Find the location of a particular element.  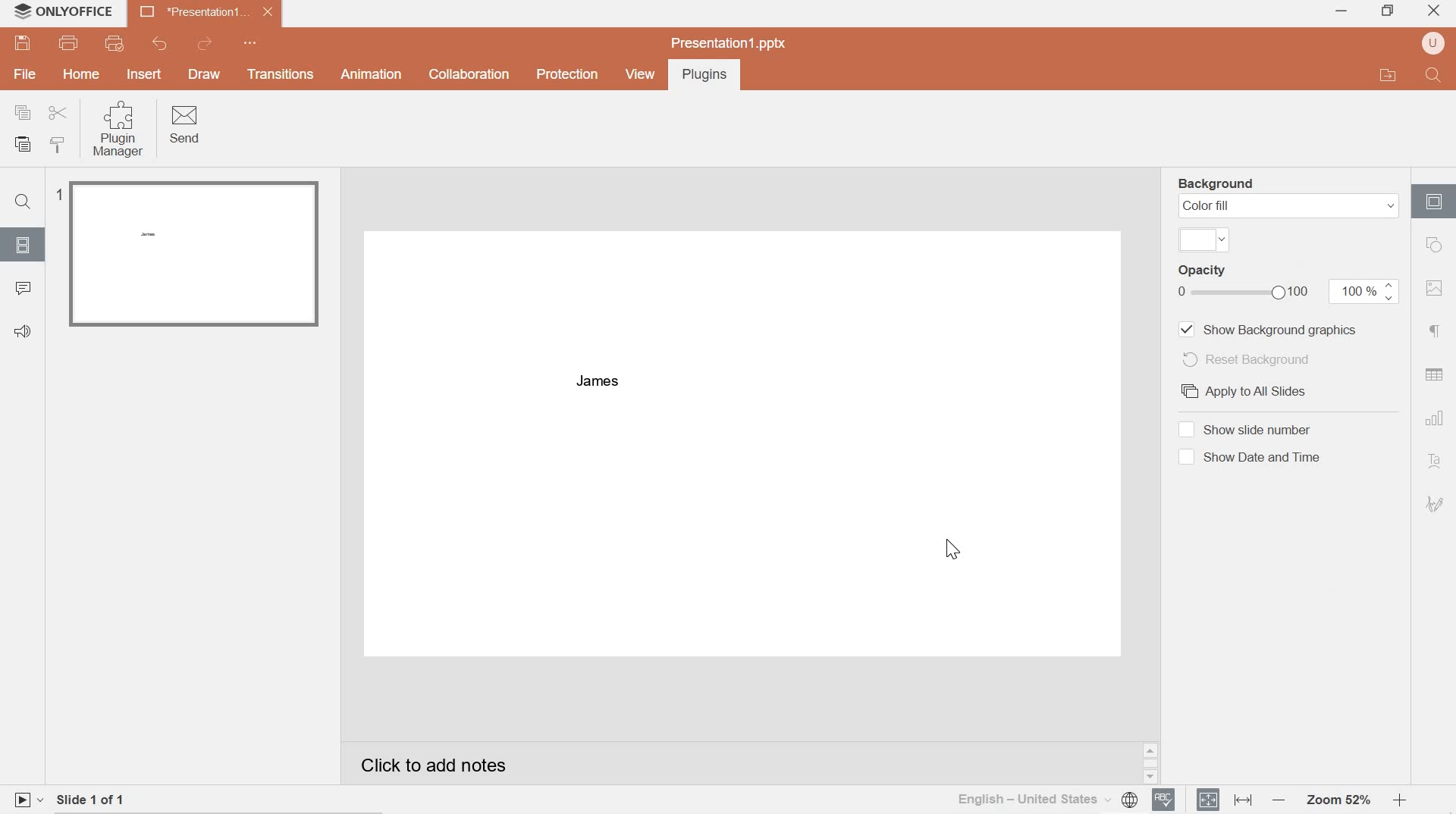

undo is located at coordinates (157, 44).